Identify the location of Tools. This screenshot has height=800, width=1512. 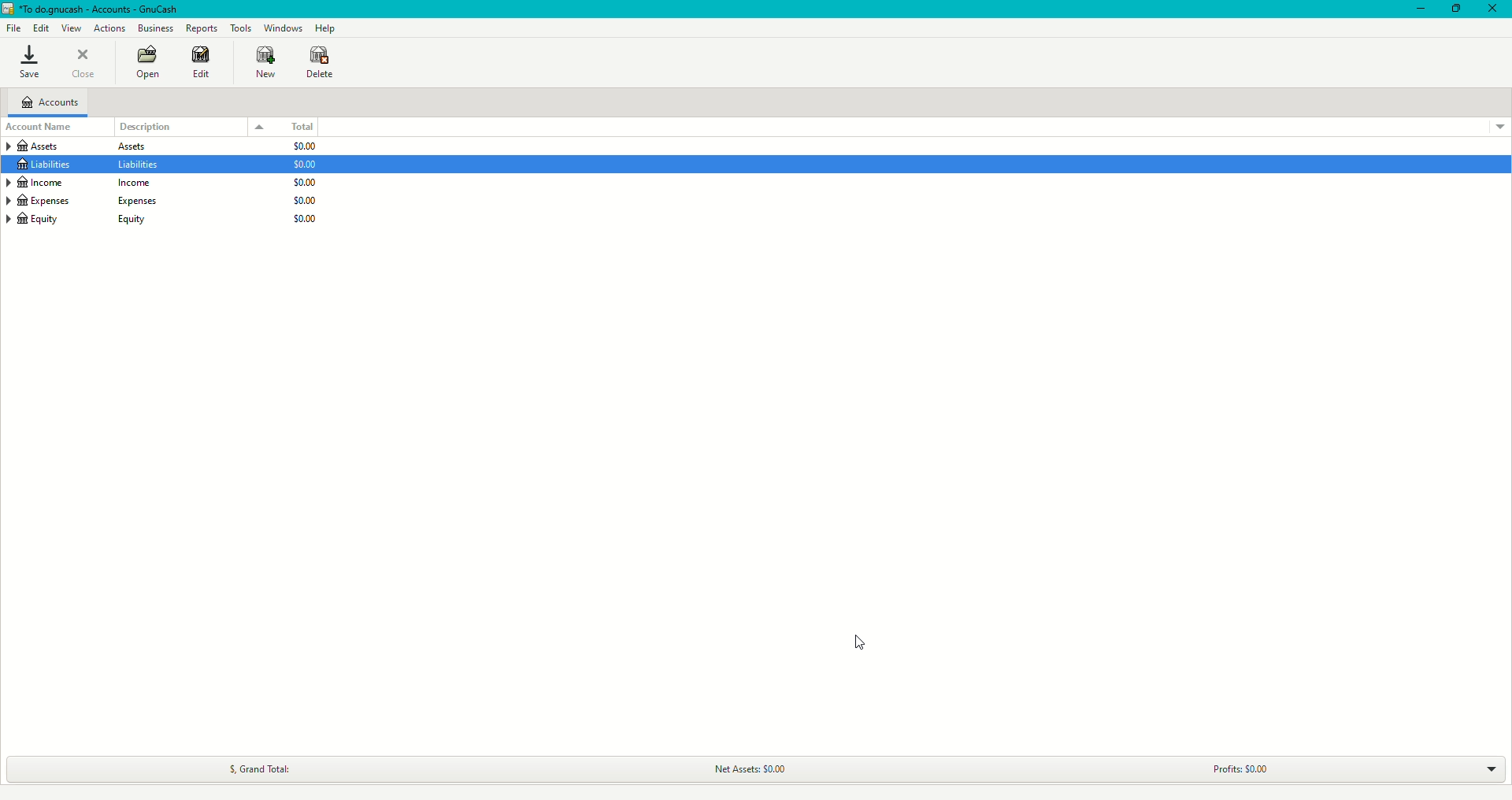
(243, 28).